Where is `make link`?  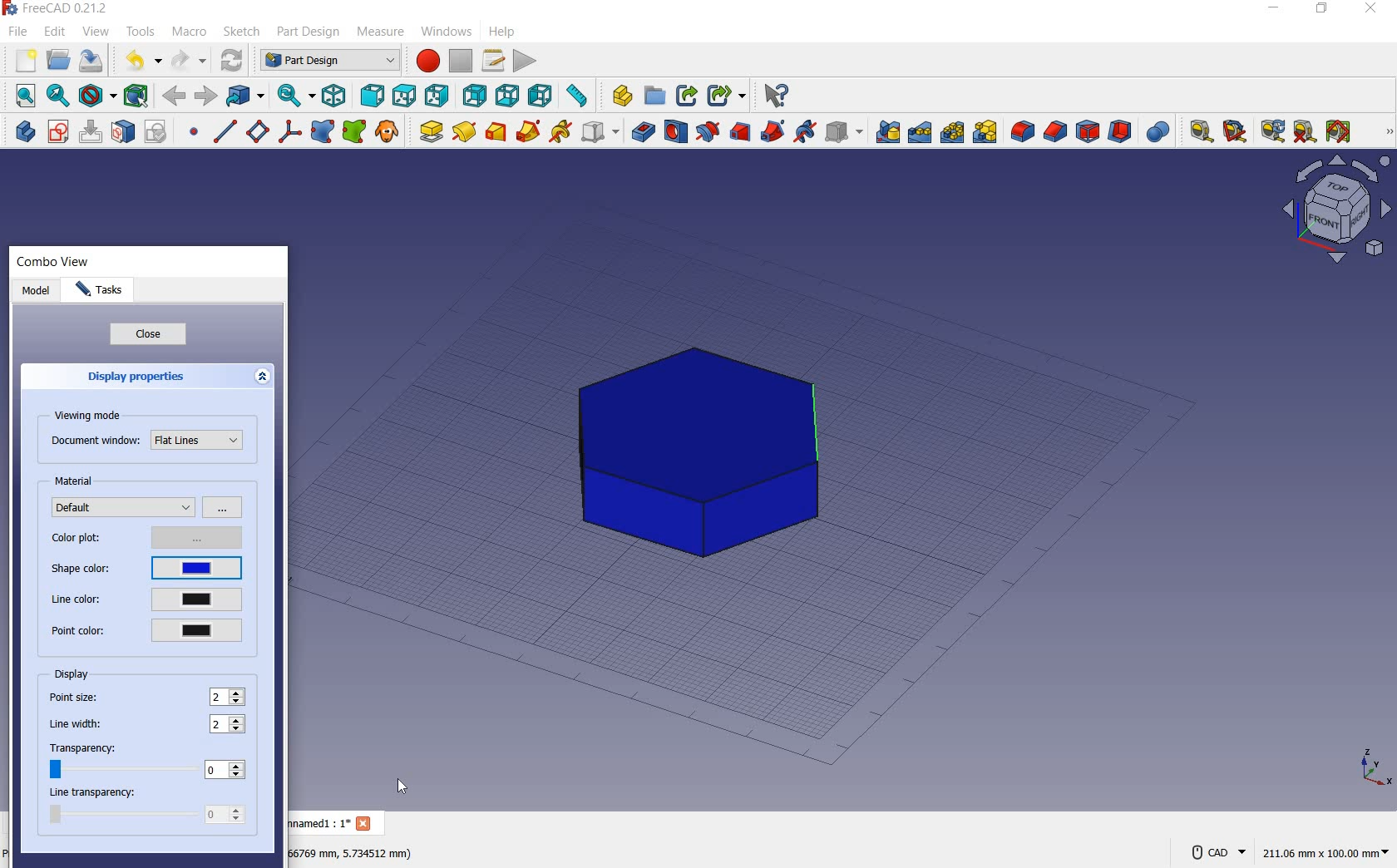
make link is located at coordinates (684, 96).